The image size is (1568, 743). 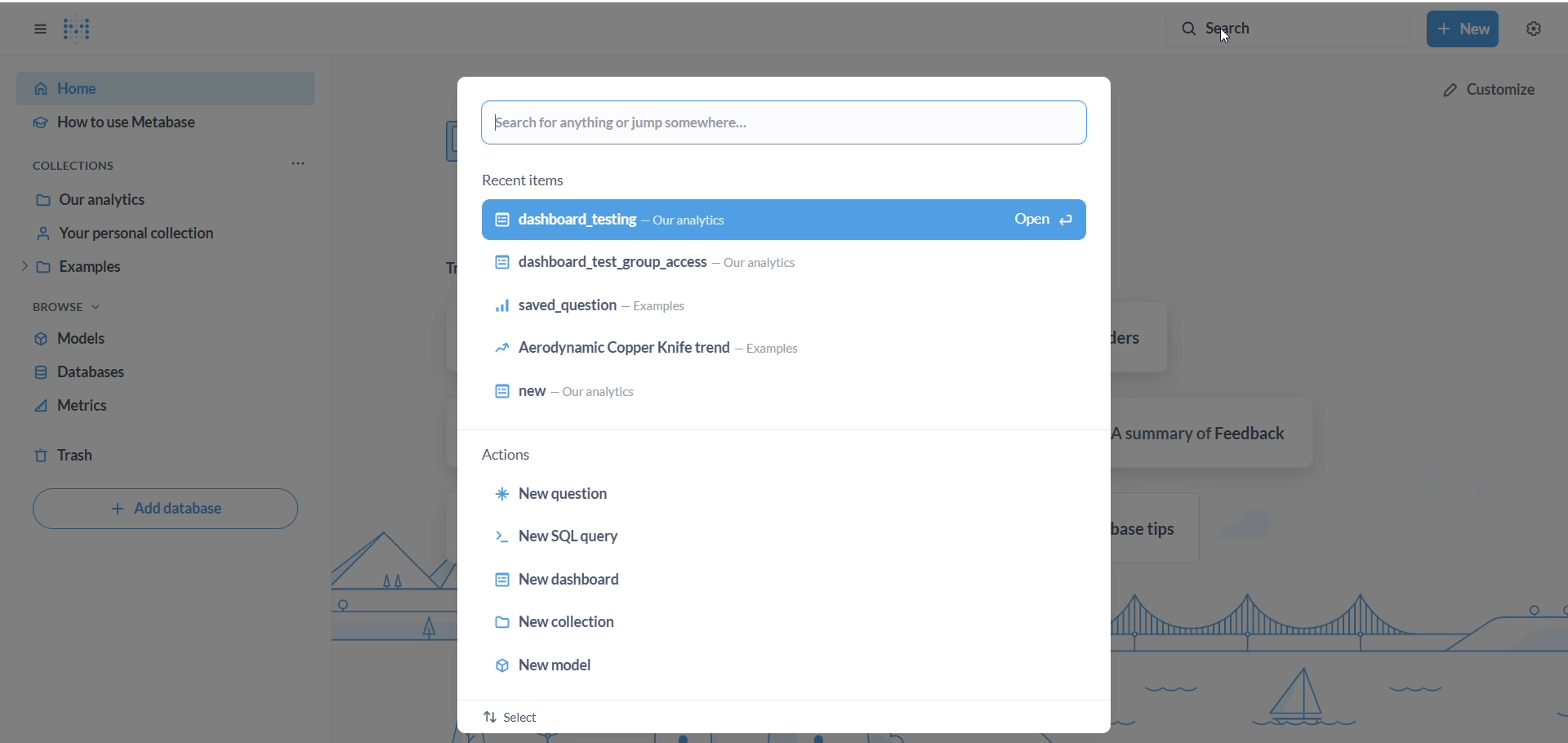 What do you see at coordinates (752, 537) in the screenshot?
I see `new SQL query` at bounding box center [752, 537].